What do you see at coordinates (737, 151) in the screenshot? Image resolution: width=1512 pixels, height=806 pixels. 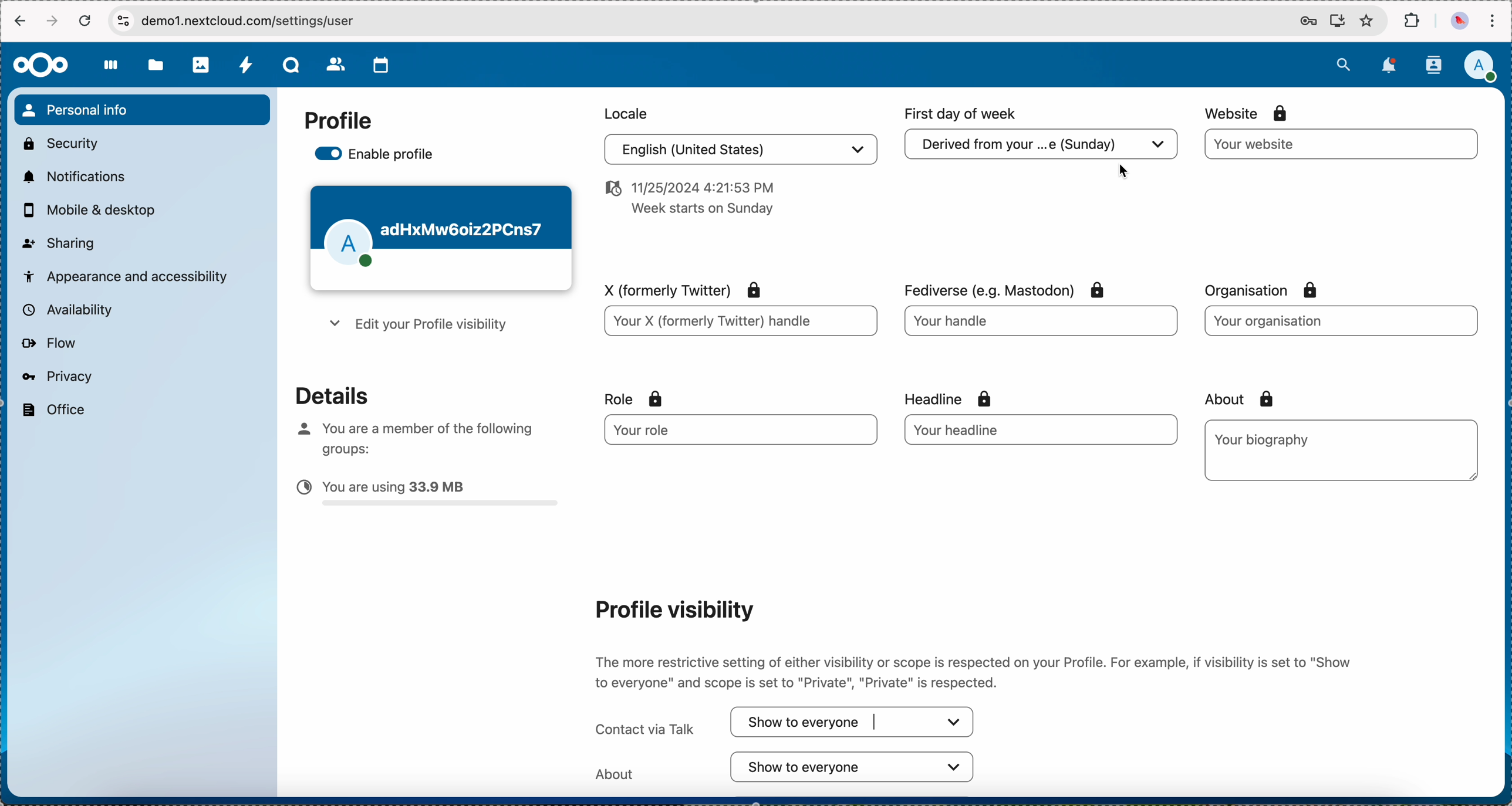 I see `english` at bounding box center [737, 151].